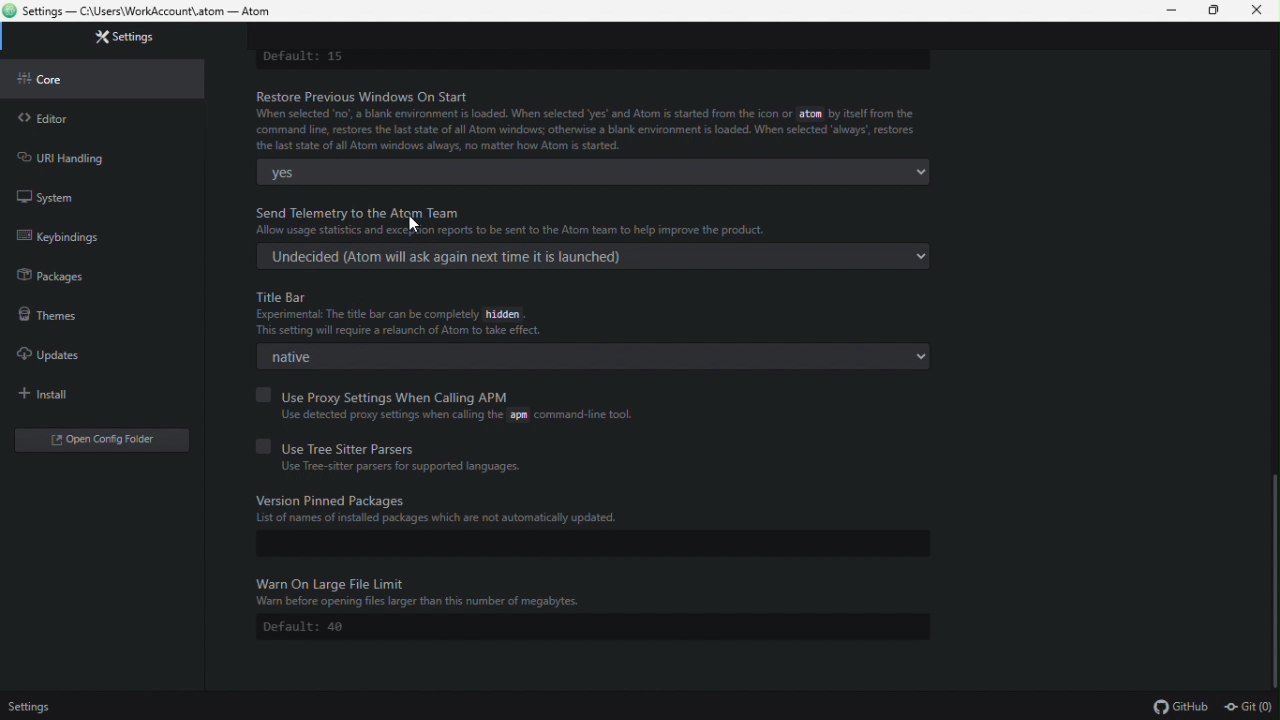  What do you see at coordinates (590, 508) in the screenshot?
I see `Version Pinned Packages List of names of installed packages which are not automatically updated. ` at bounding box center [590, 508].